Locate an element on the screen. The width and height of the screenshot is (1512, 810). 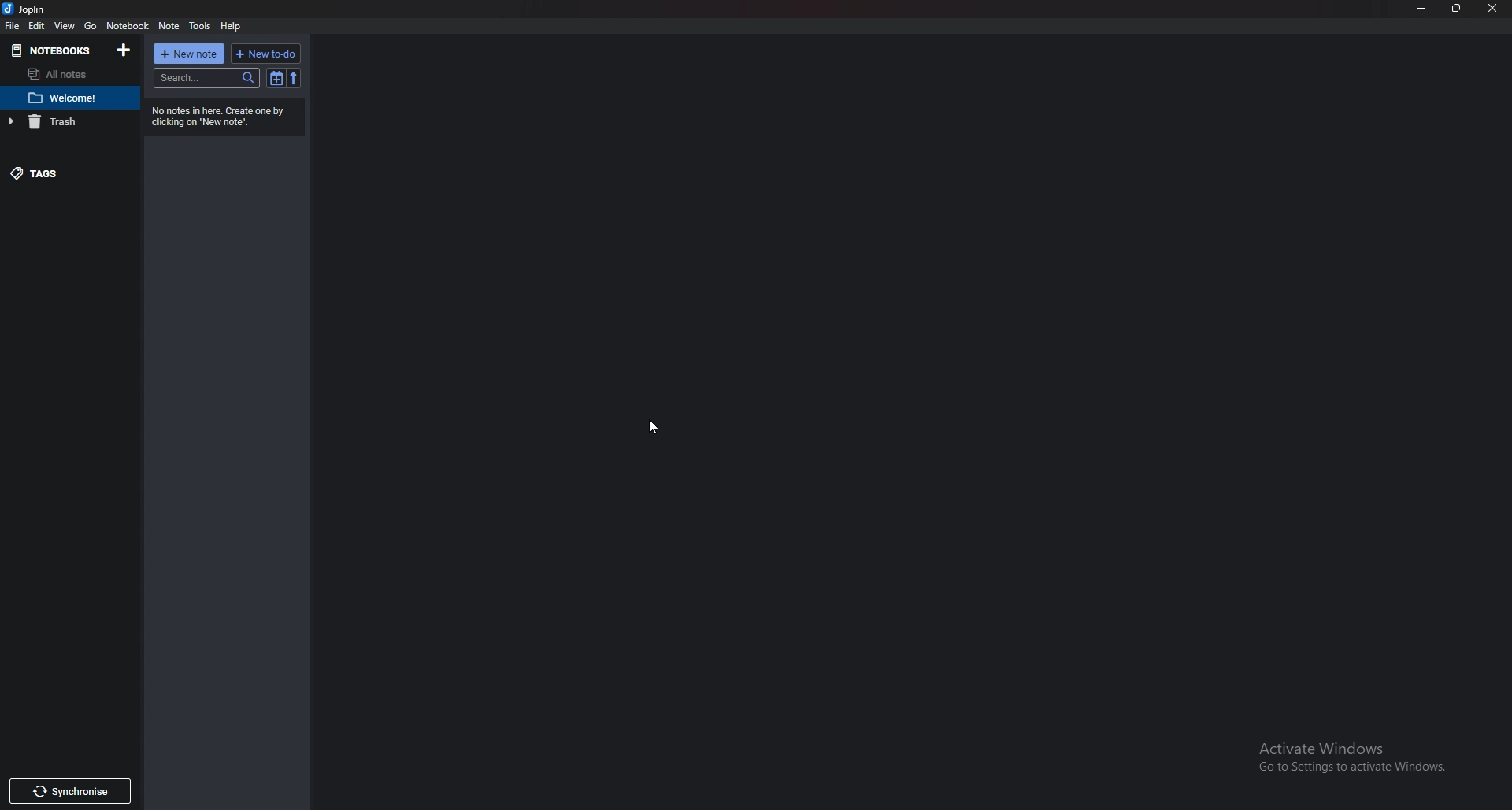
help is located at coordinates (235, 25).